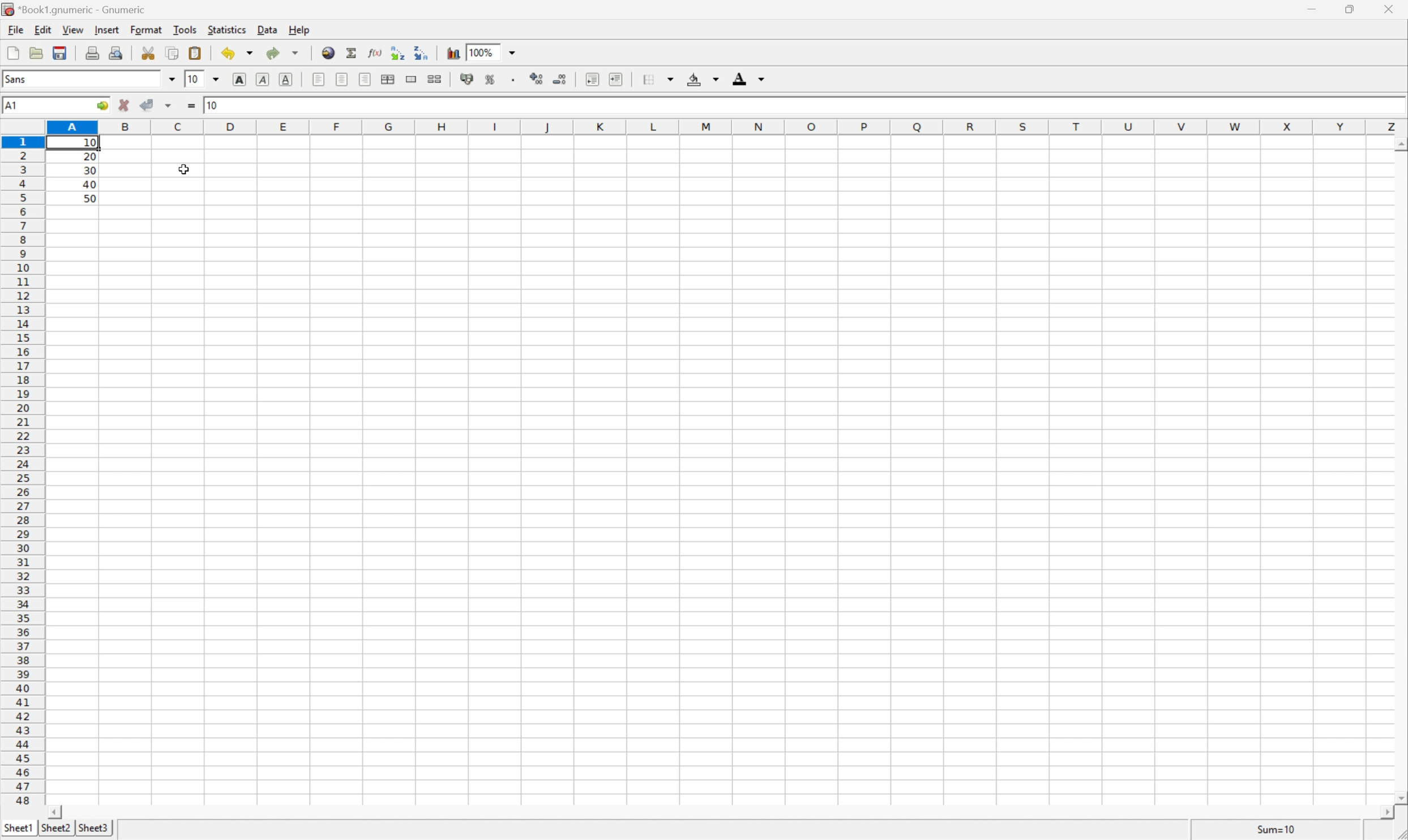 This screenshot has height=840, width=1408. I want to click on Edit a function in current cell, so click(374, 52).